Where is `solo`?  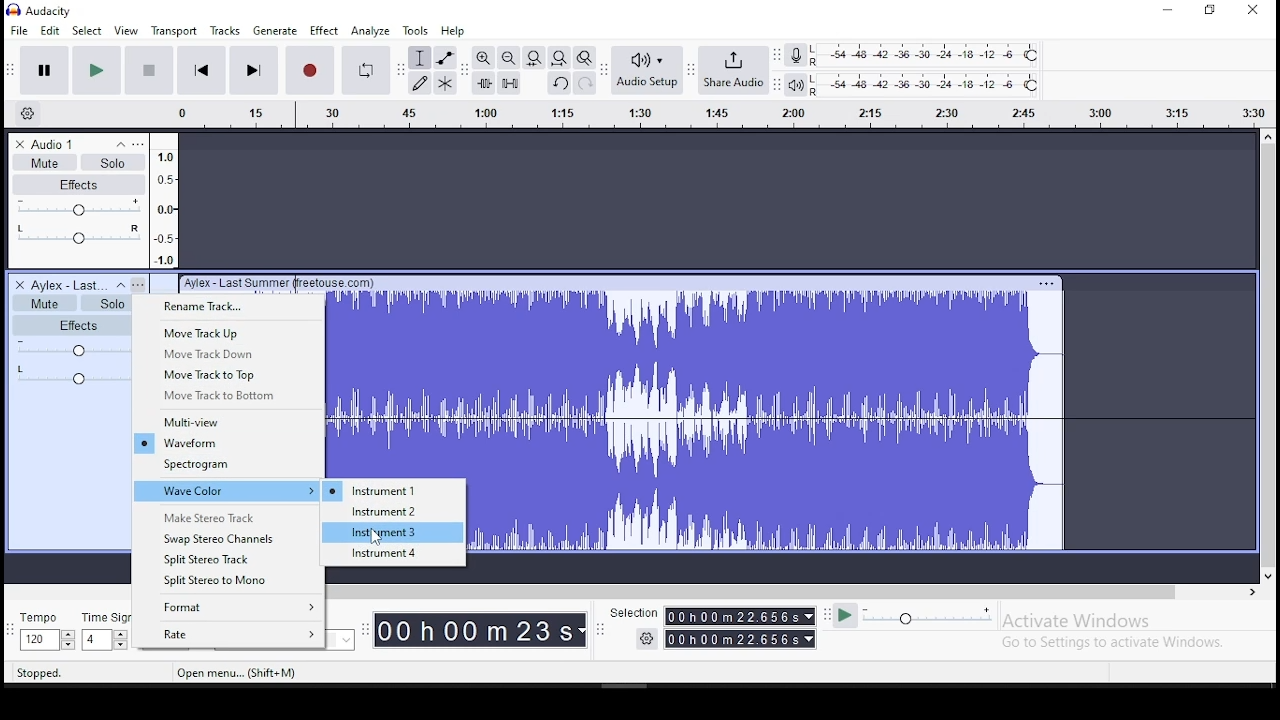
solo is located at coordinates (113, 161).